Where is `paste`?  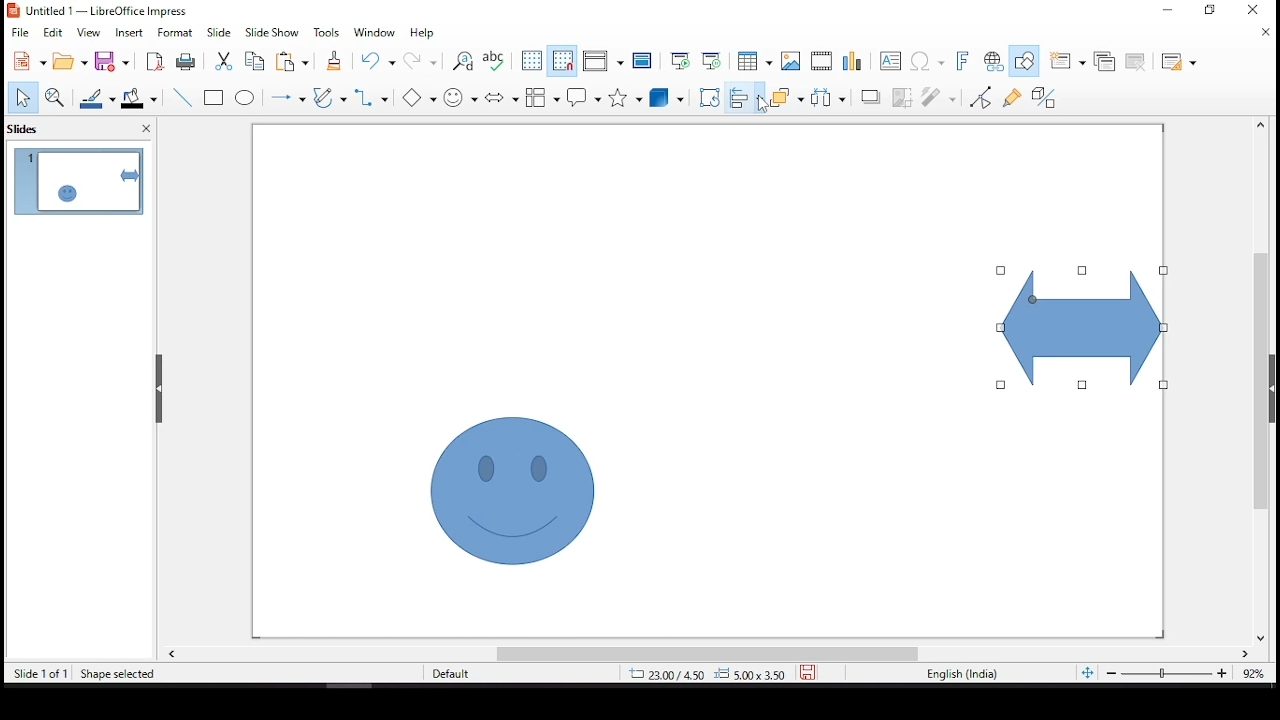 paste is located at coordinates (296, 61).